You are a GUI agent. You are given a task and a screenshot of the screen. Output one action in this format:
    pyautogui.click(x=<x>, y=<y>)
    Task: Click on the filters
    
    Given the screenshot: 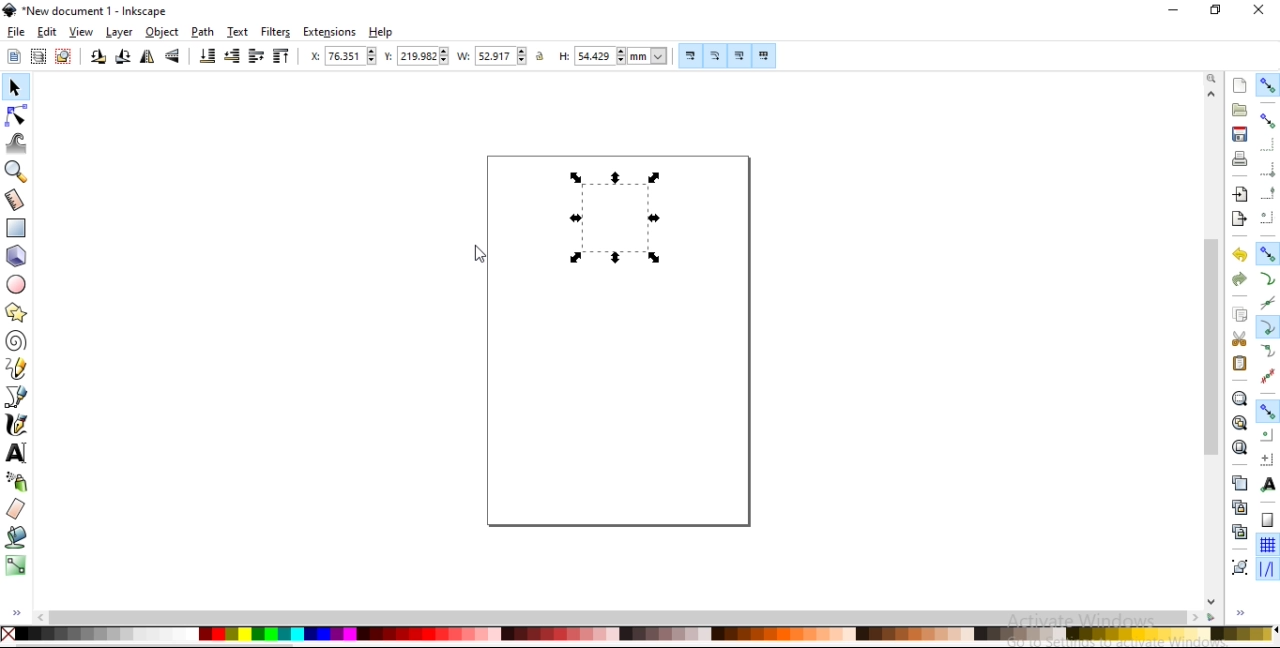 What is the action you would take?
    pyautogui.click(x=276, y=31)
    